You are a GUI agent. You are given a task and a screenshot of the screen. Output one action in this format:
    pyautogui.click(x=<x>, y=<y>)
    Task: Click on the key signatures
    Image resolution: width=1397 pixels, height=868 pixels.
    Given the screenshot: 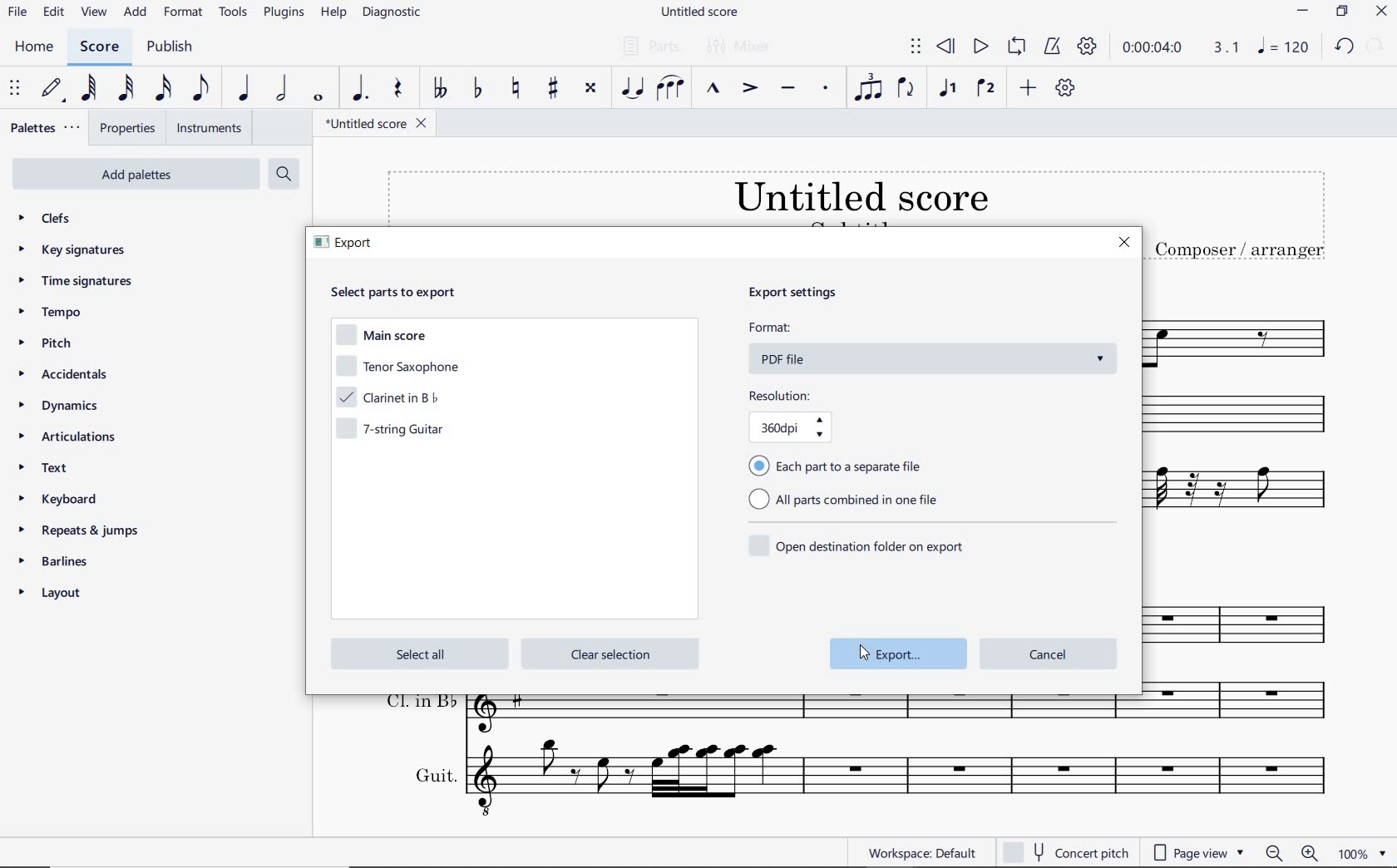 What is the action you would take?
    pyautogui.click(x=72, y=250)
    